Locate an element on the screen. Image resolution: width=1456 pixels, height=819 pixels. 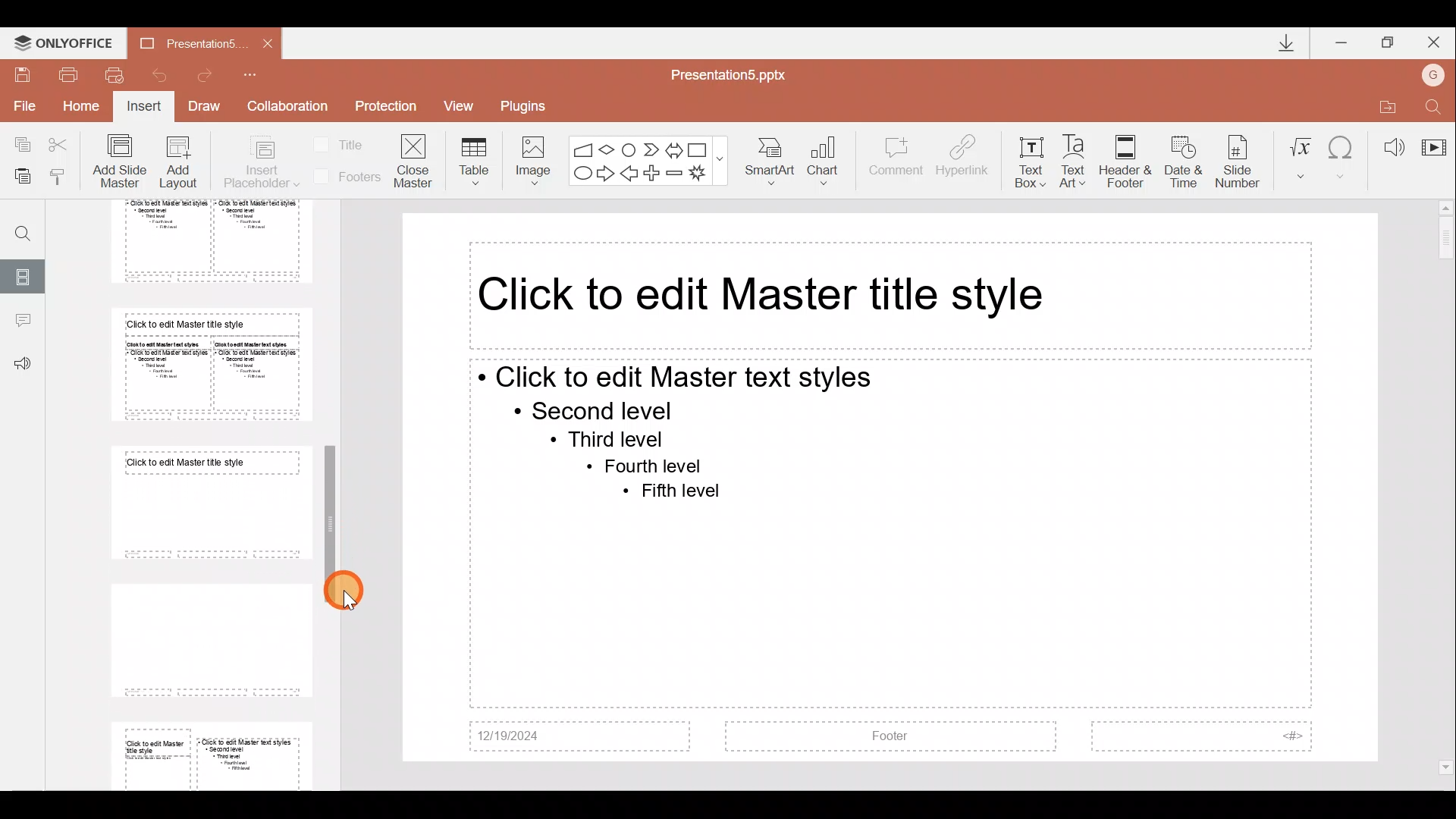
Slide 8 is located at coordinates (206, 638).